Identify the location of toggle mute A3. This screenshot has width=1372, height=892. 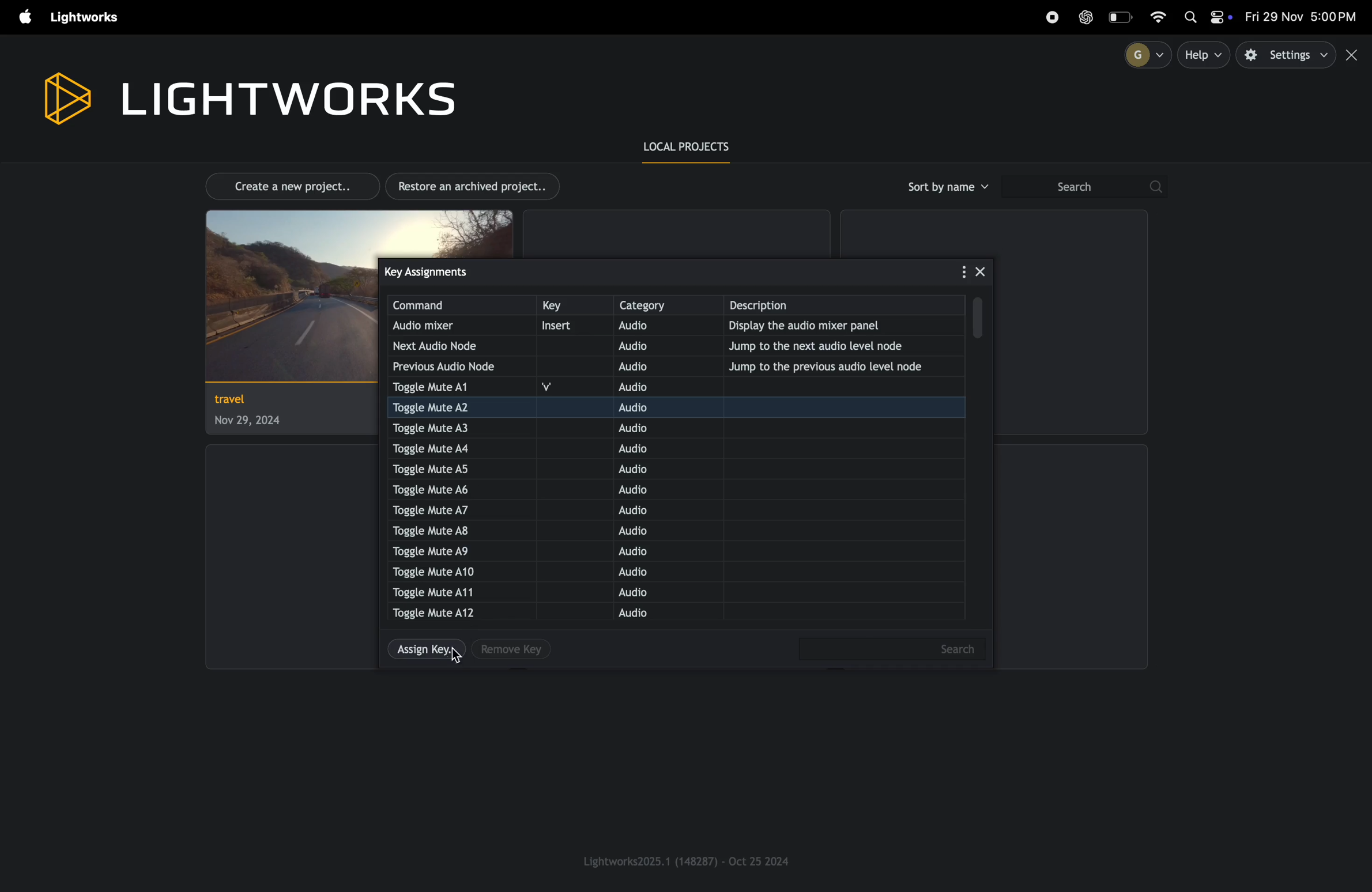
(452, 427).